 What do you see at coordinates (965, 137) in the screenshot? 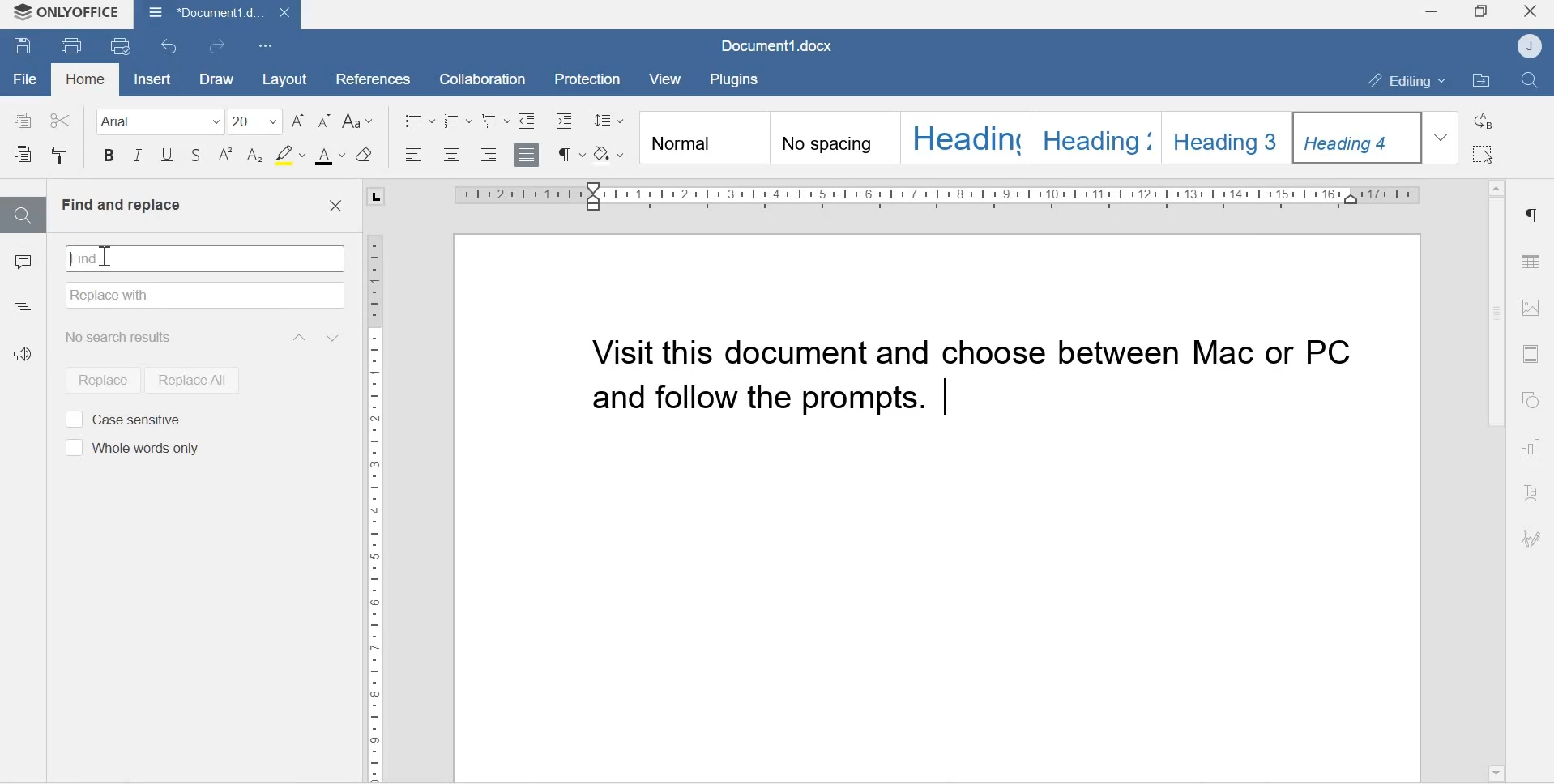
I see `Heading 1` at bounding box center [965, 137].